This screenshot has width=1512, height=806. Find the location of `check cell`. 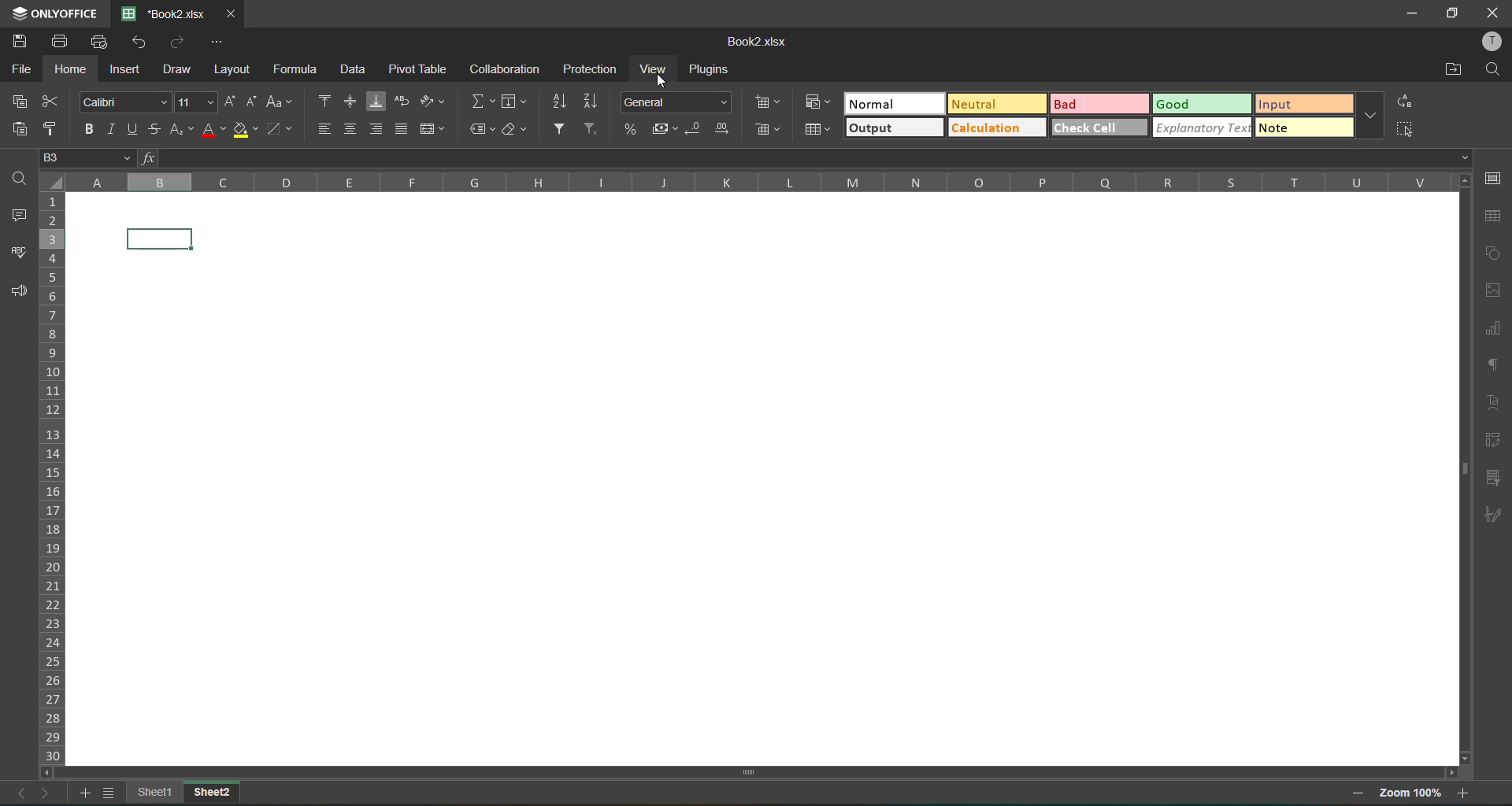

check cell is located at coordinates (1099, 129).